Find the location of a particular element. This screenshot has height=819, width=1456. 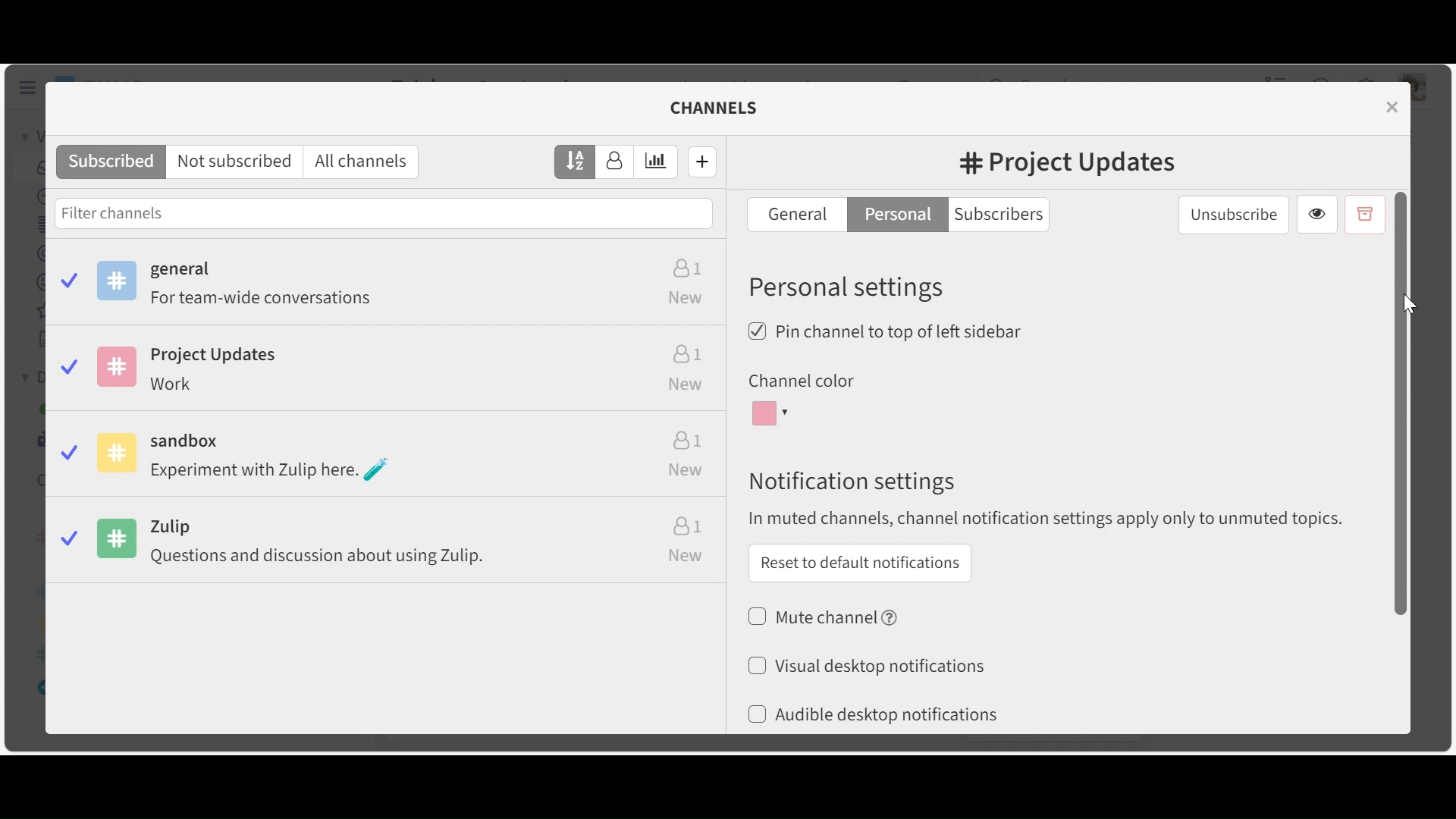

 is located at coordinates (795, 213).